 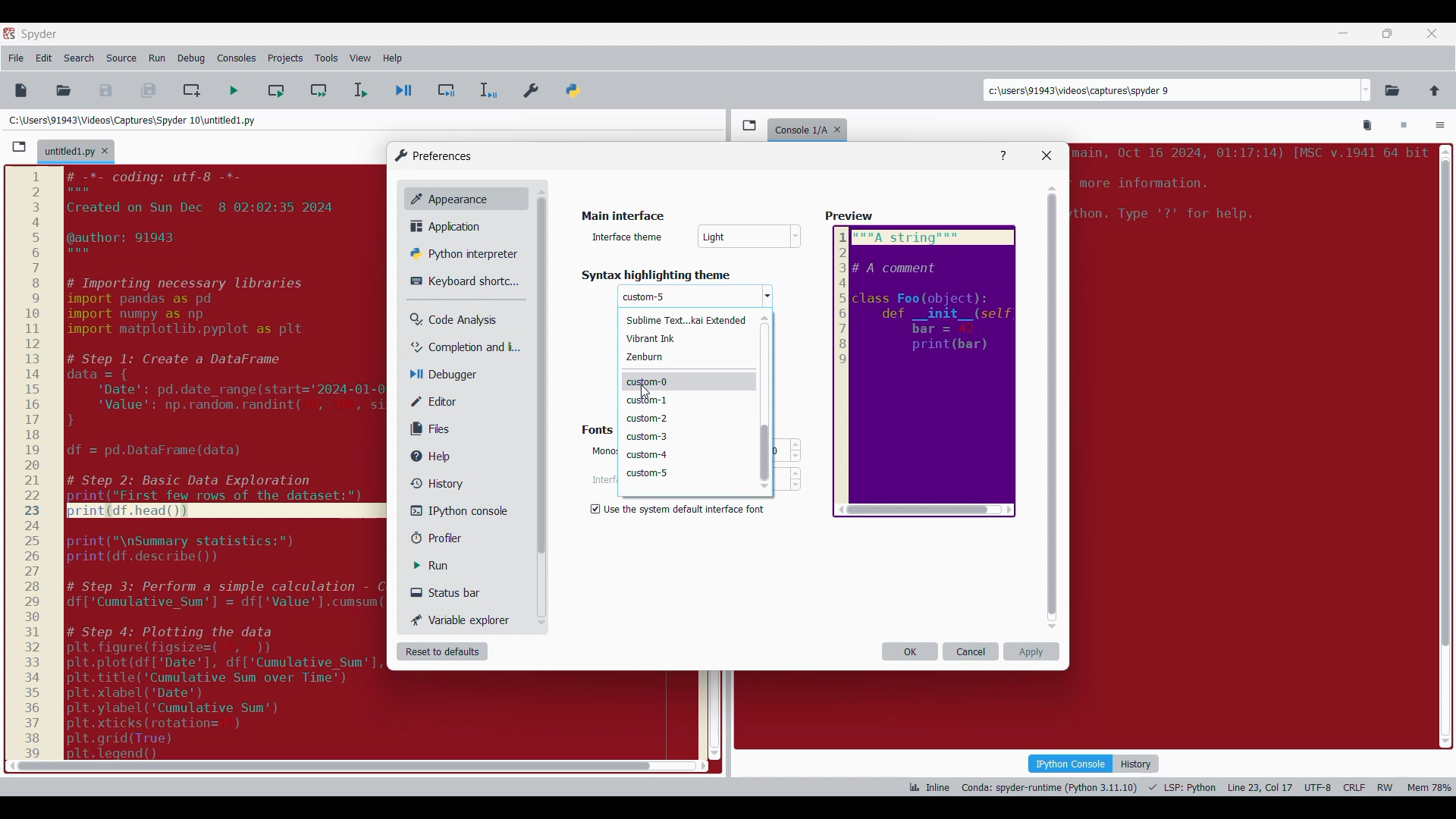 What do you see at coordinates (157, 58) in the screenshot?
I see `Run menu` at bounding box center [157, 58].